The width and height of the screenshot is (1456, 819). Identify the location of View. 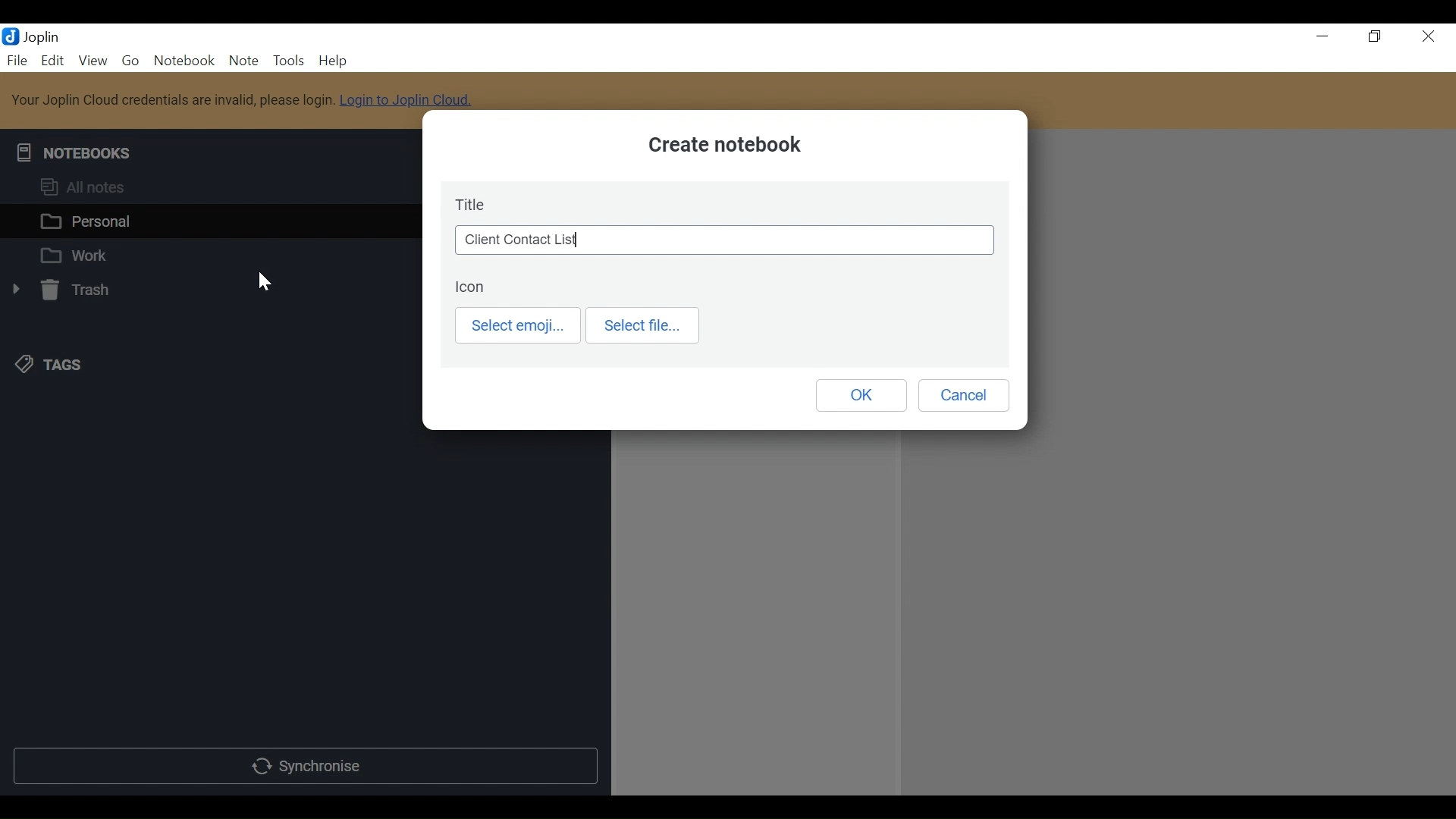
(93, 61).